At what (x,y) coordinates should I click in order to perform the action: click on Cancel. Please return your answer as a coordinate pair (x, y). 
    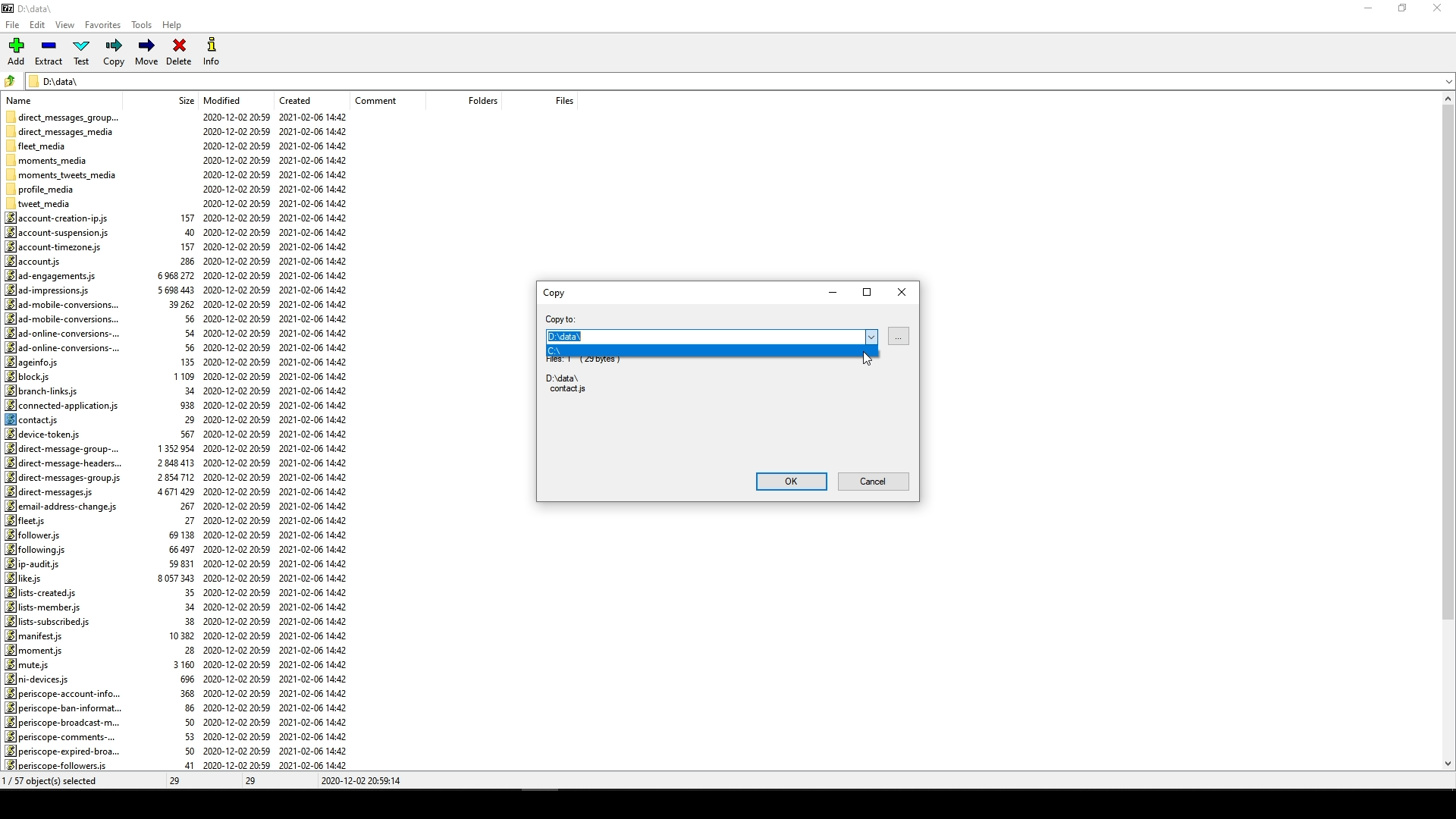
    Looking at the image, I should click on (874, 482).